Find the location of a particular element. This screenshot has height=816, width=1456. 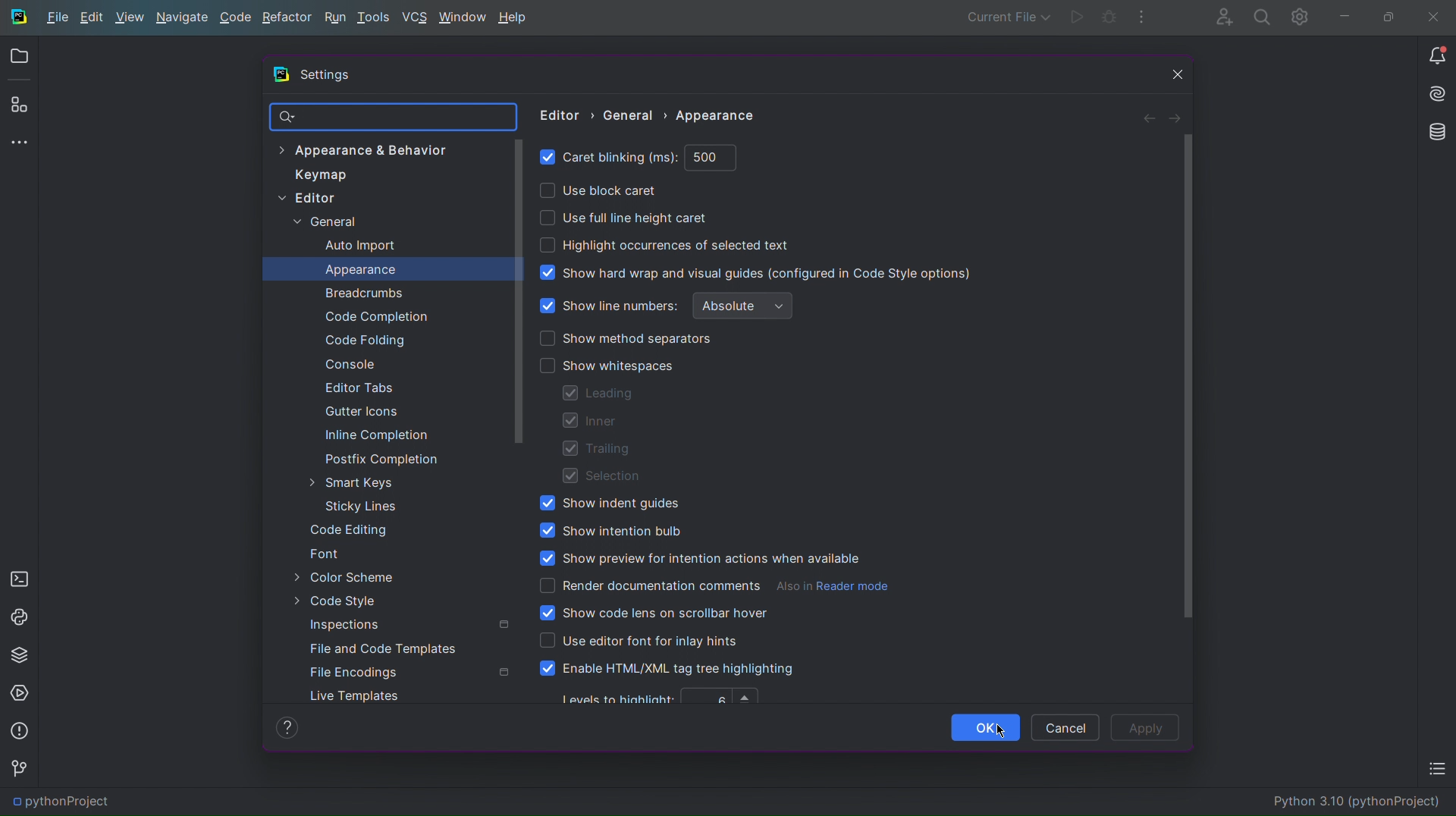

Auto Import is located at coordinates (359, 246).